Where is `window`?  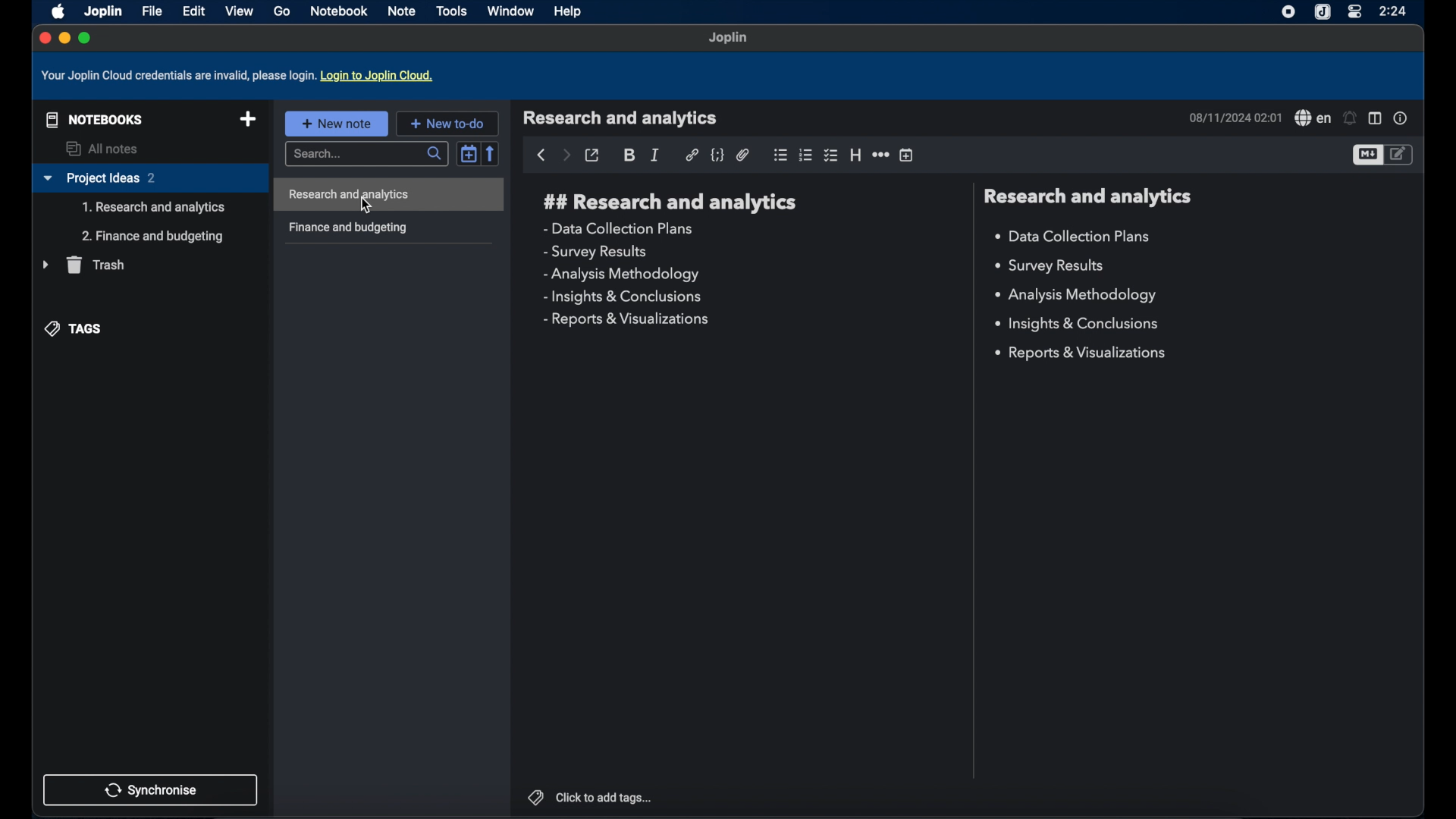
window is located at coordinates (510, 11).